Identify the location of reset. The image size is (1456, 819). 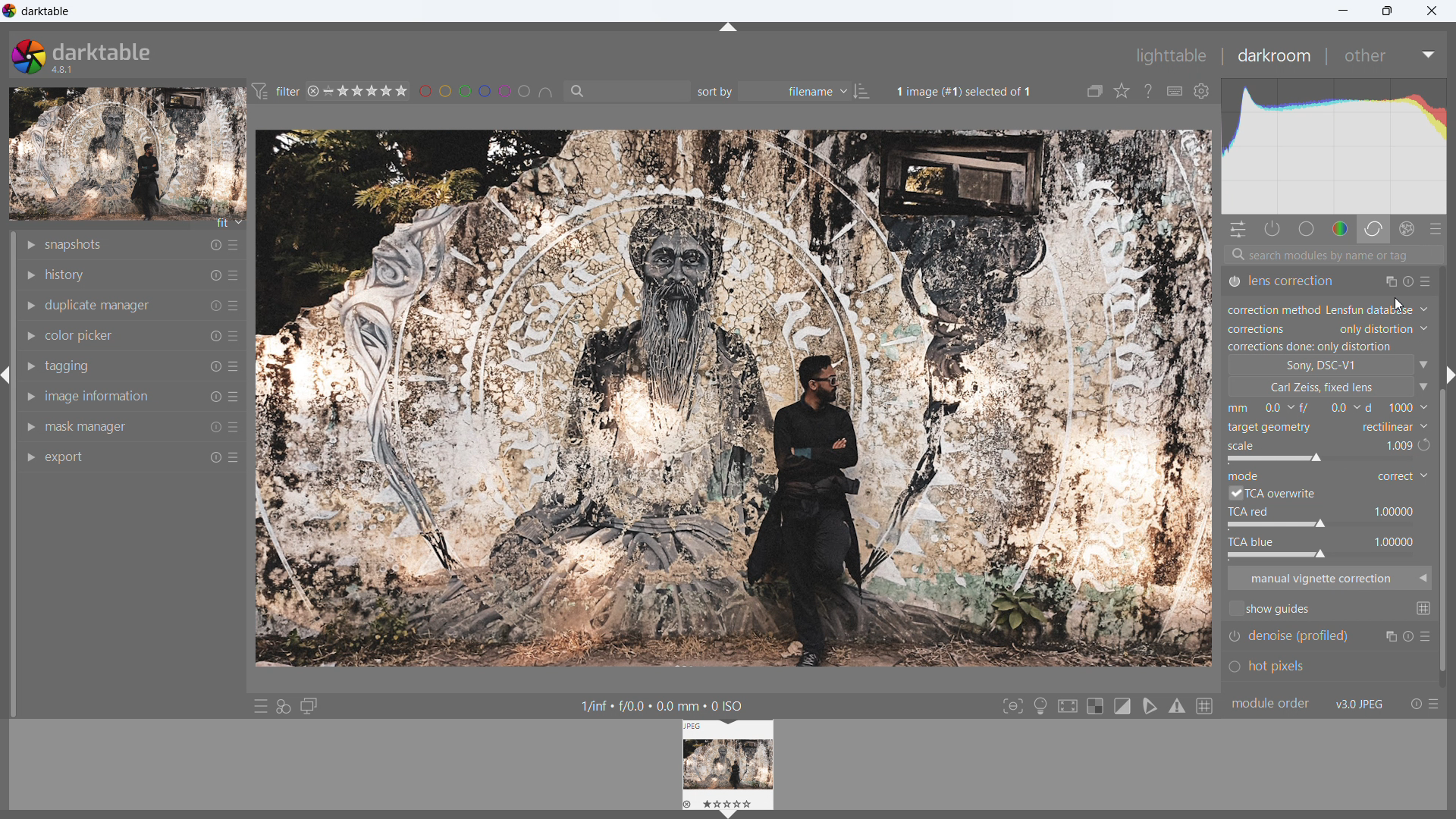
(210, 336).